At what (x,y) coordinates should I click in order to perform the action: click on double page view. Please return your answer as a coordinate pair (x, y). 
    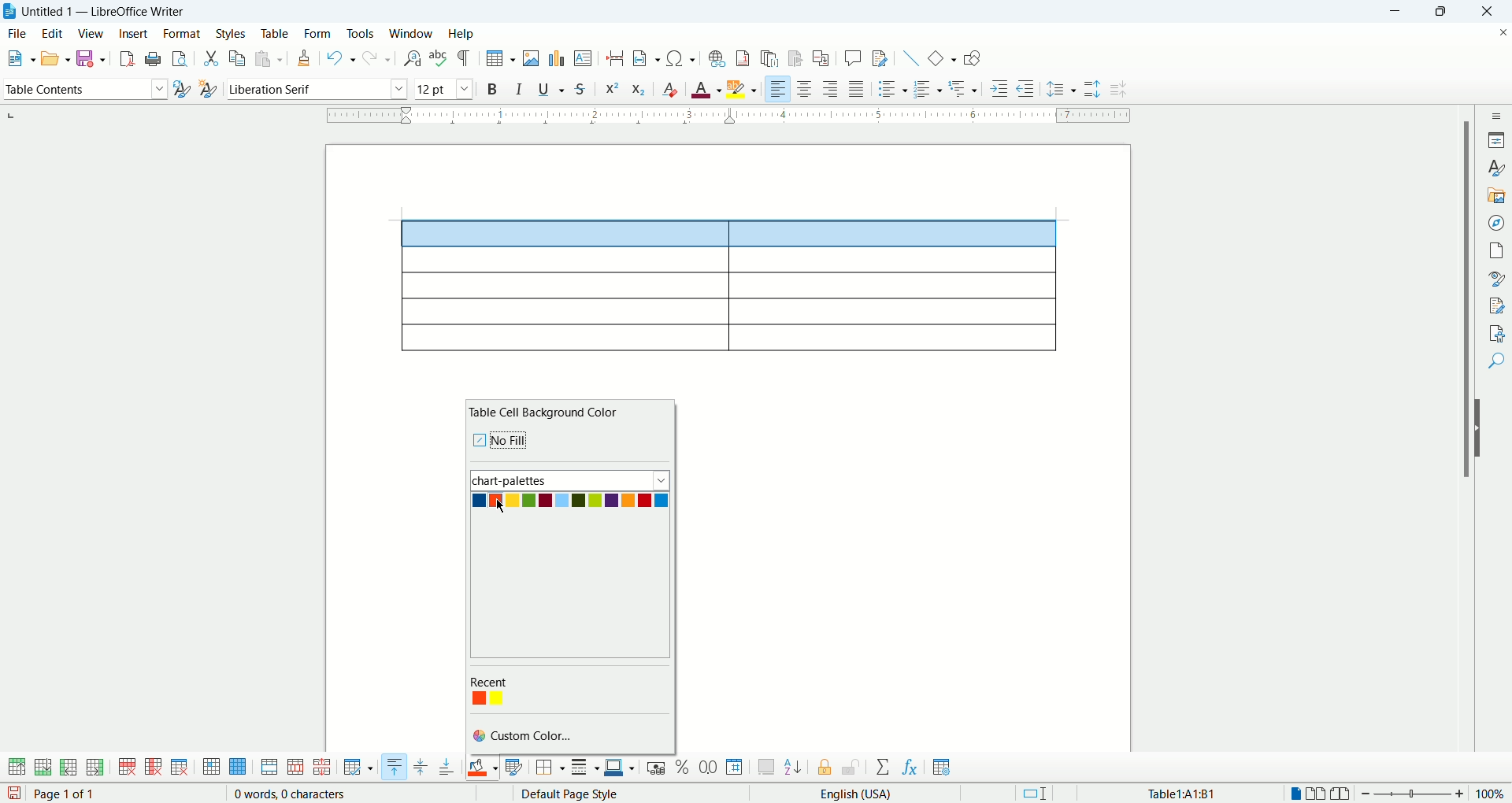
    Looking at the image, I should click on (1319, 794).